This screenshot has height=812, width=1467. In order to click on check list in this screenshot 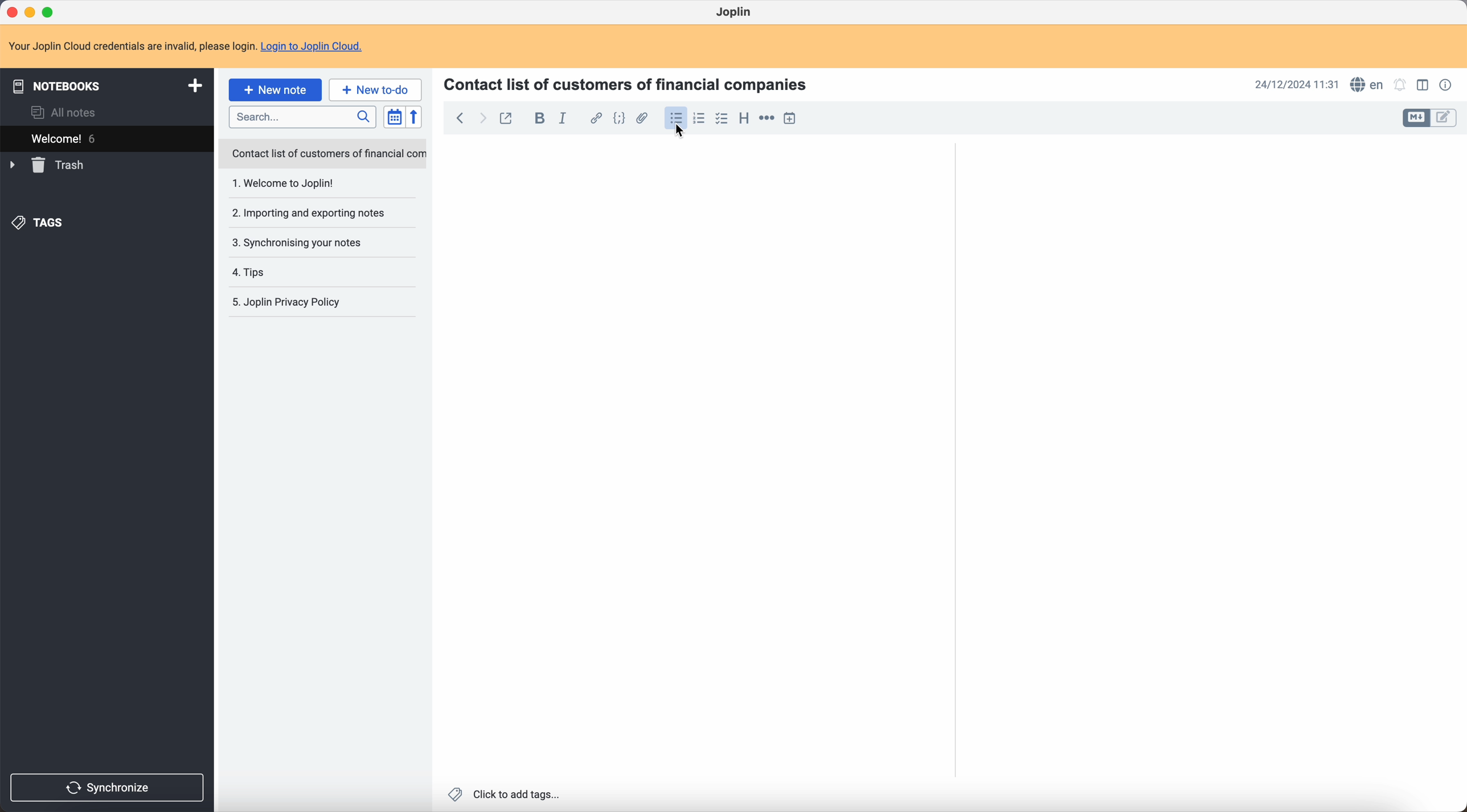, I will do `click(722, 119)`.